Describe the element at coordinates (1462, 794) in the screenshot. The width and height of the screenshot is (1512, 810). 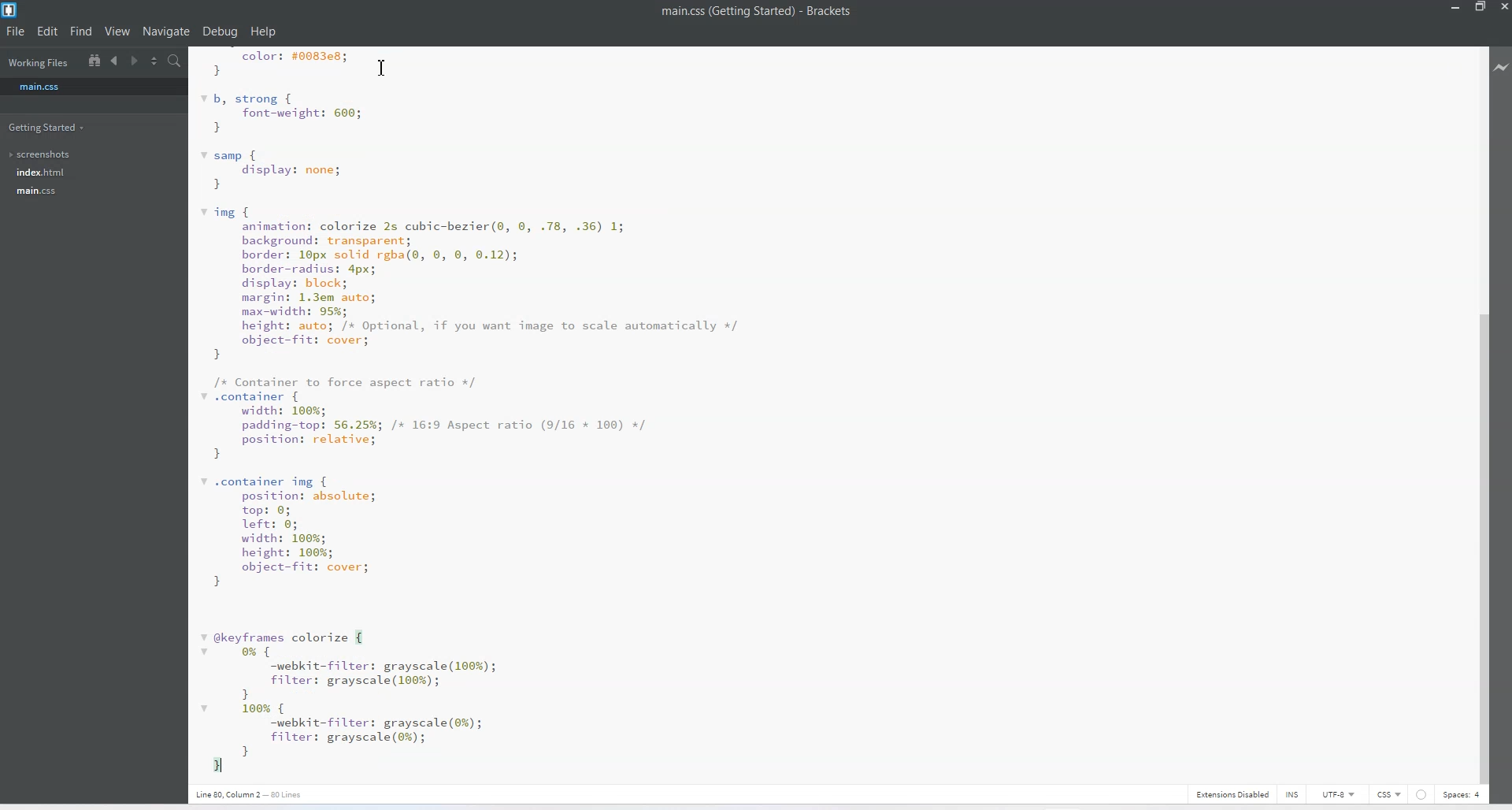
I see `Spaces: 4` at that location.